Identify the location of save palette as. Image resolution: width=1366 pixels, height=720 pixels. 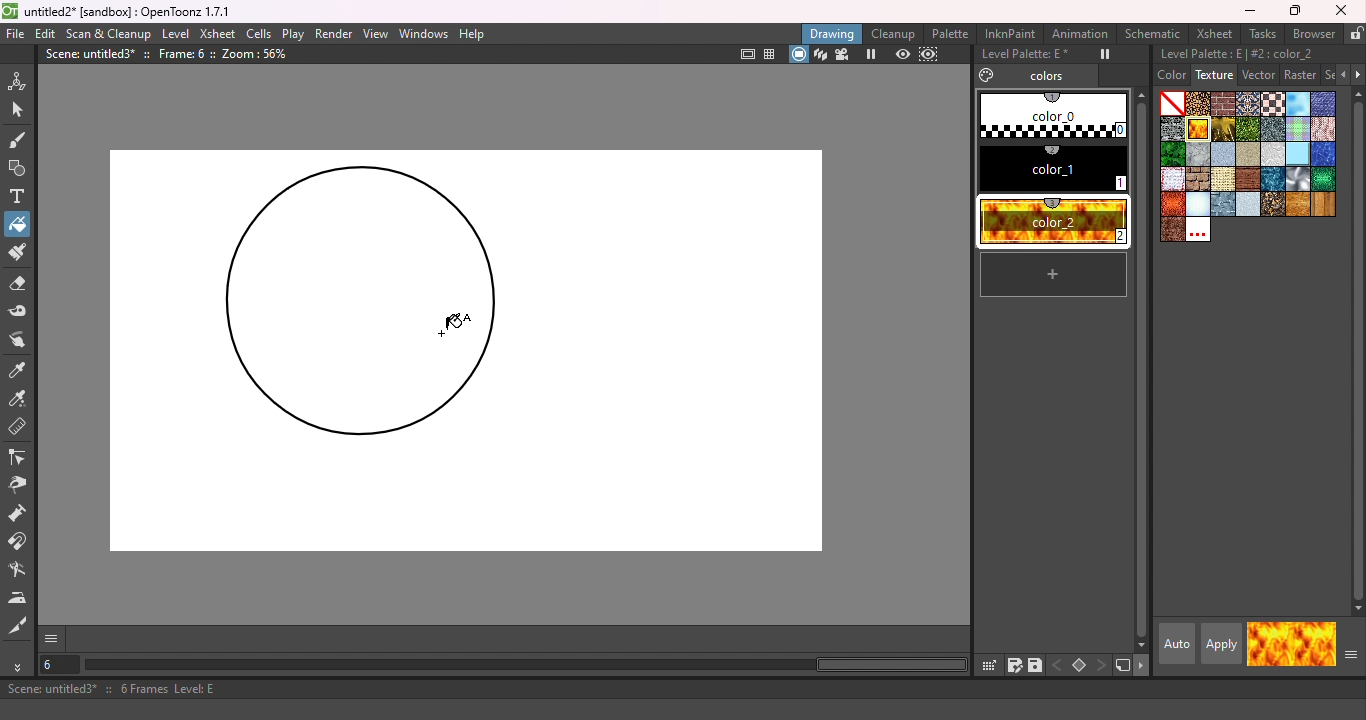
(1013, 665).